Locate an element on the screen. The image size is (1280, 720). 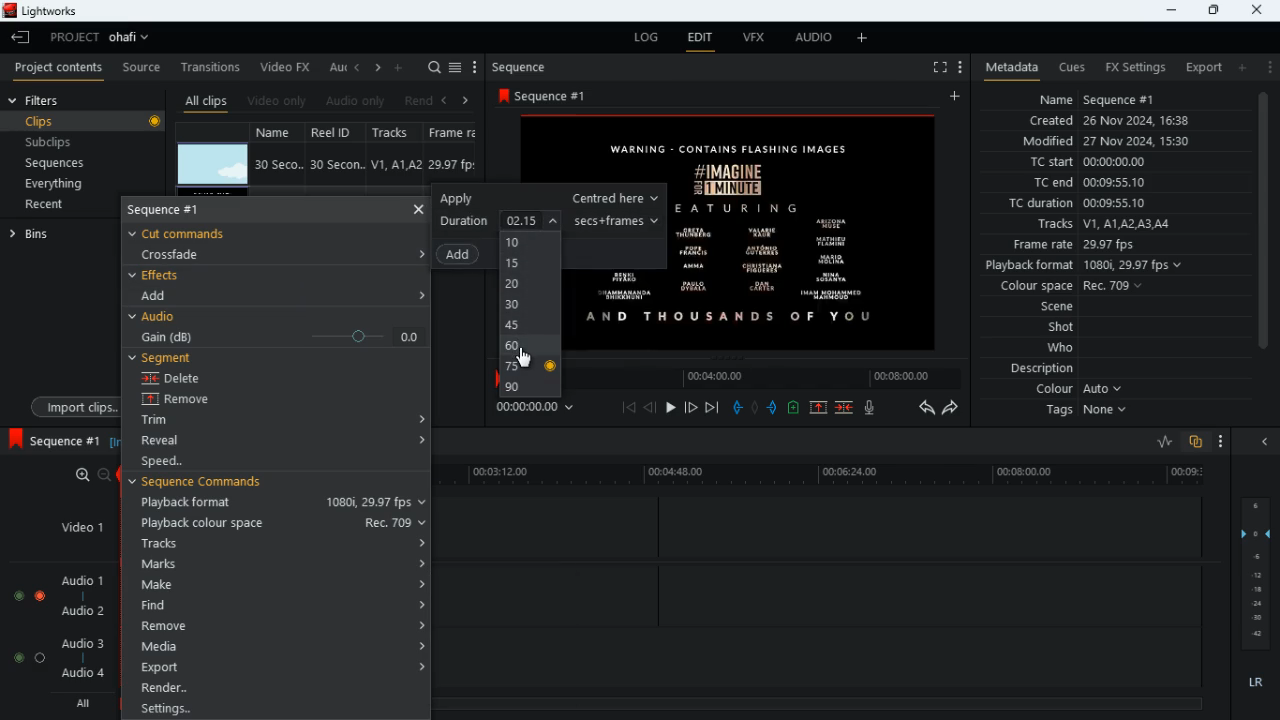
30 seco.. is located at coordinates (279, 163).